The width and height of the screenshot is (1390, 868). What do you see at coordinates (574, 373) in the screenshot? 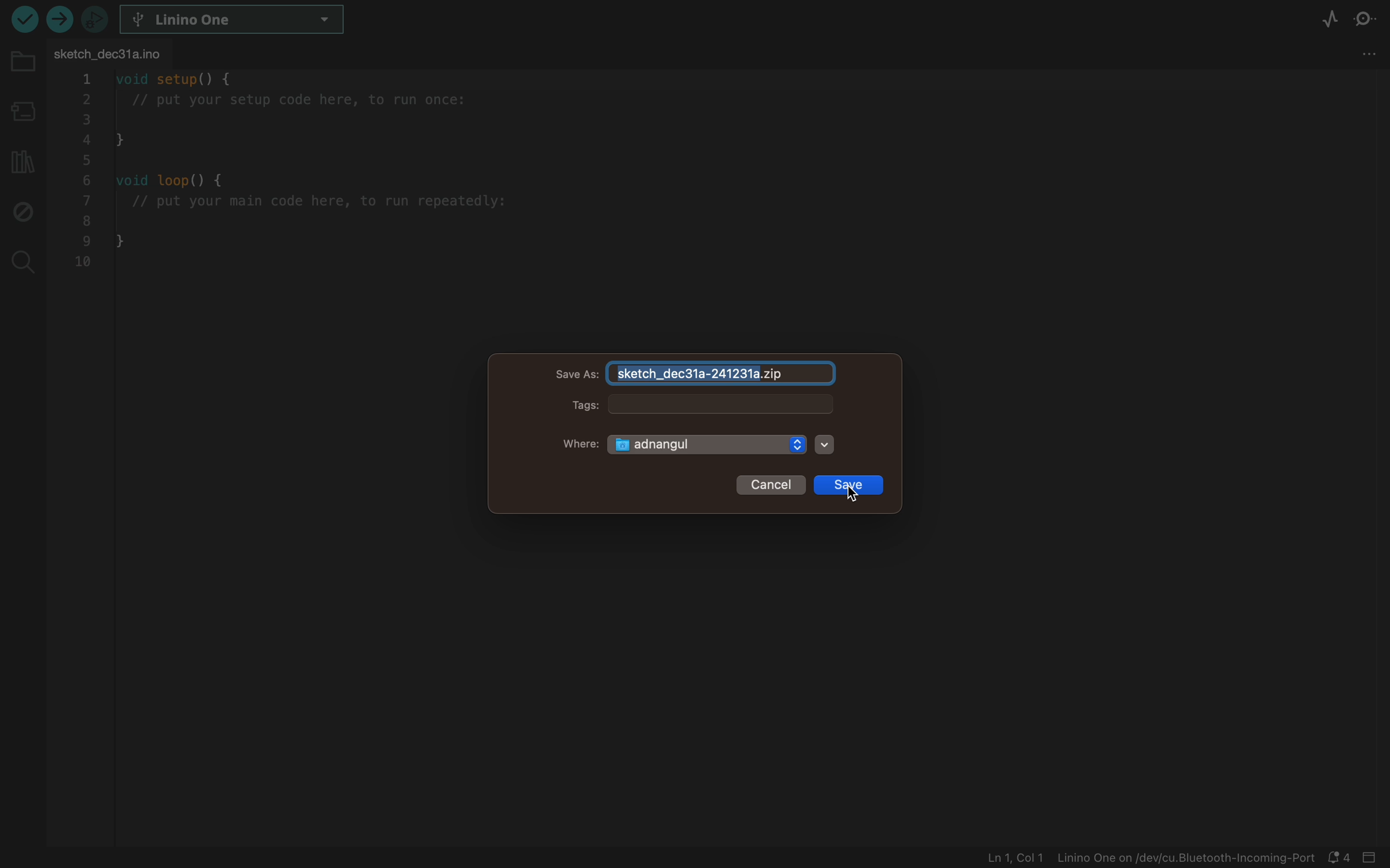
I see `save as` at bounding box center [574, 373].